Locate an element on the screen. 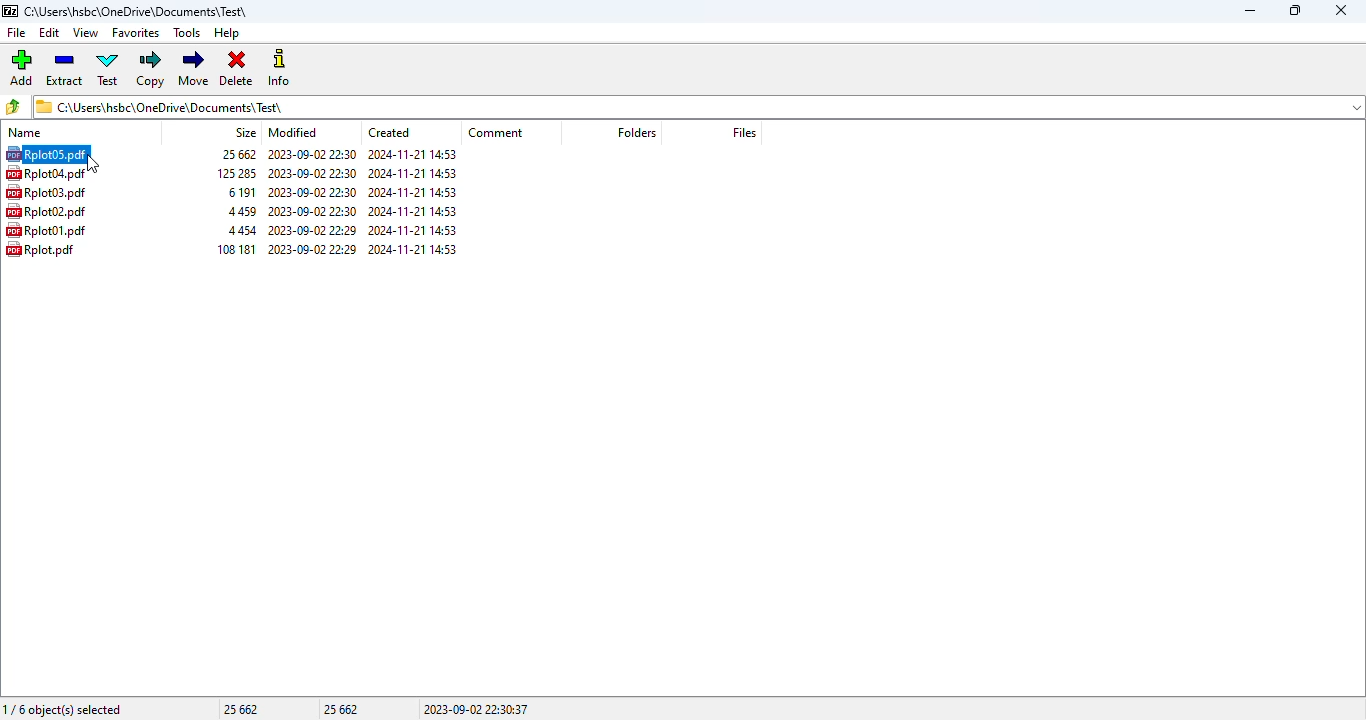 The width and height of the screenshot is (1366, 720). Hotkey (CTRL+A) on selected file is located at coordinates (48, 154).